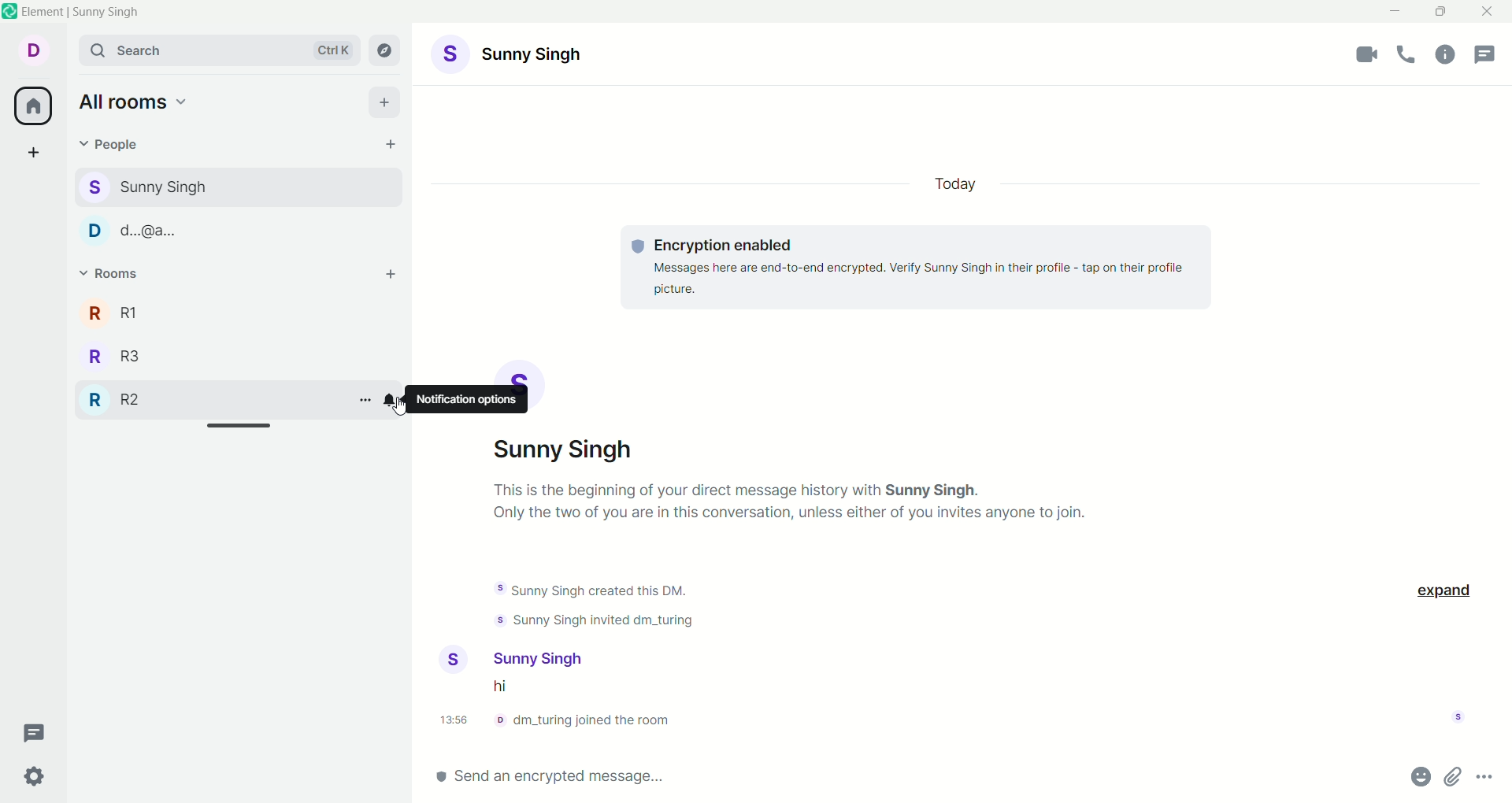 The width and height of the screenshot is (1512, 803). Describe the element at coordinates (220, 52) in the screenshot. I see `search` at that location.